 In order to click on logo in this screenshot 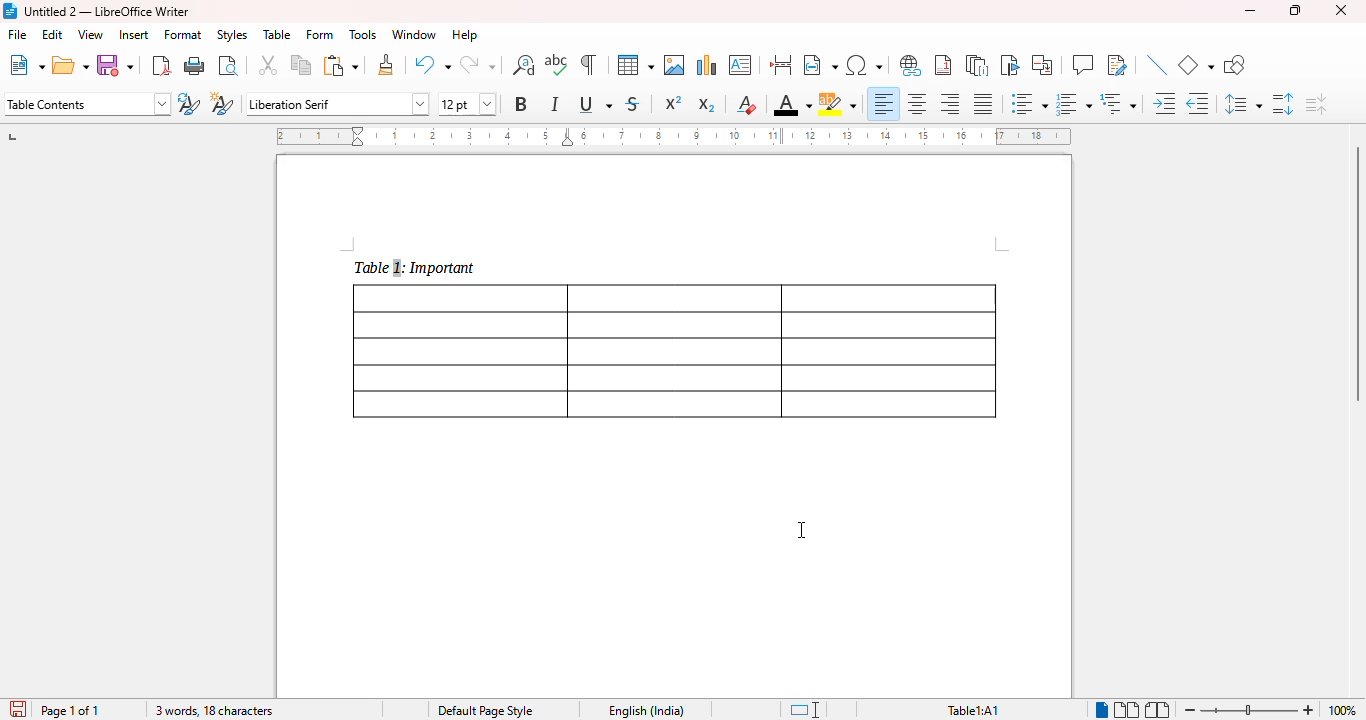, I will do `click(10, 11)`.